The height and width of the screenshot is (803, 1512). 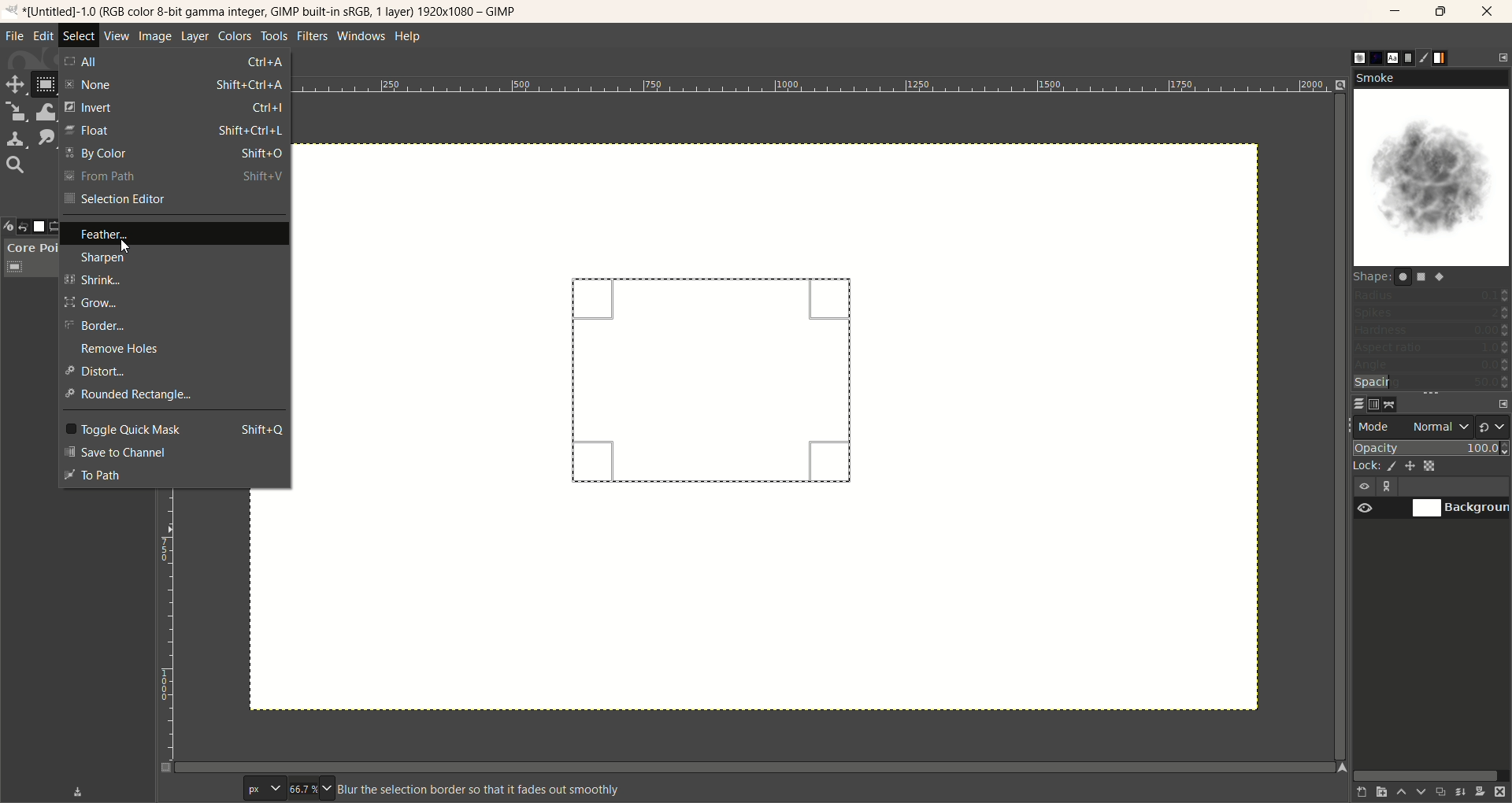 I want to click on image, so click(x=155, y=38).